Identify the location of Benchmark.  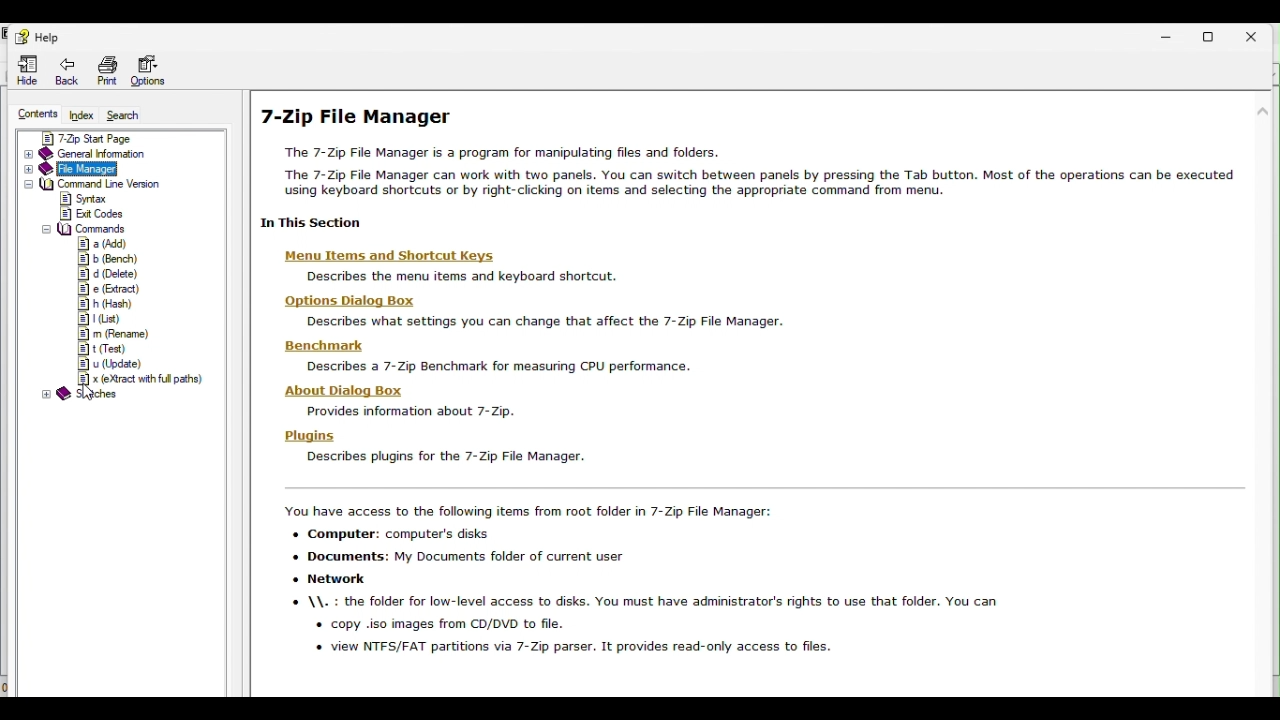
(344, 348).